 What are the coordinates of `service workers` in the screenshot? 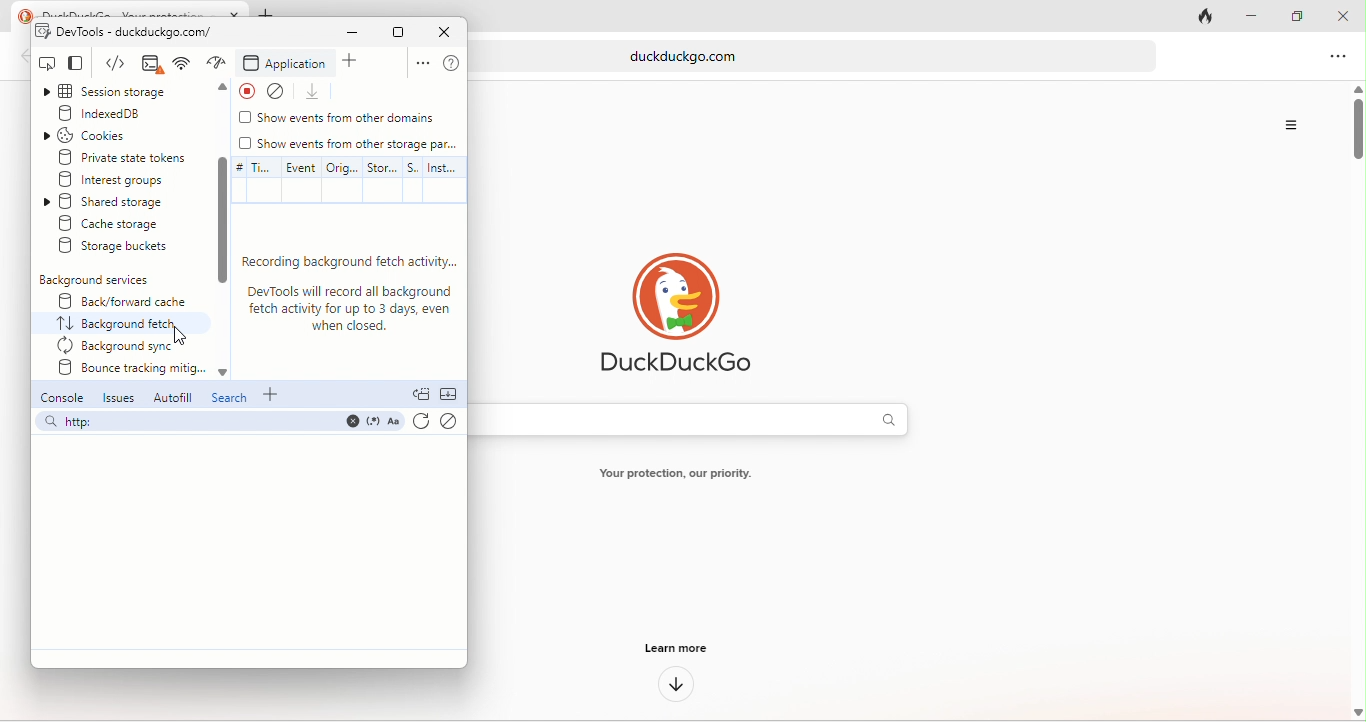 It's located at (414, 178).